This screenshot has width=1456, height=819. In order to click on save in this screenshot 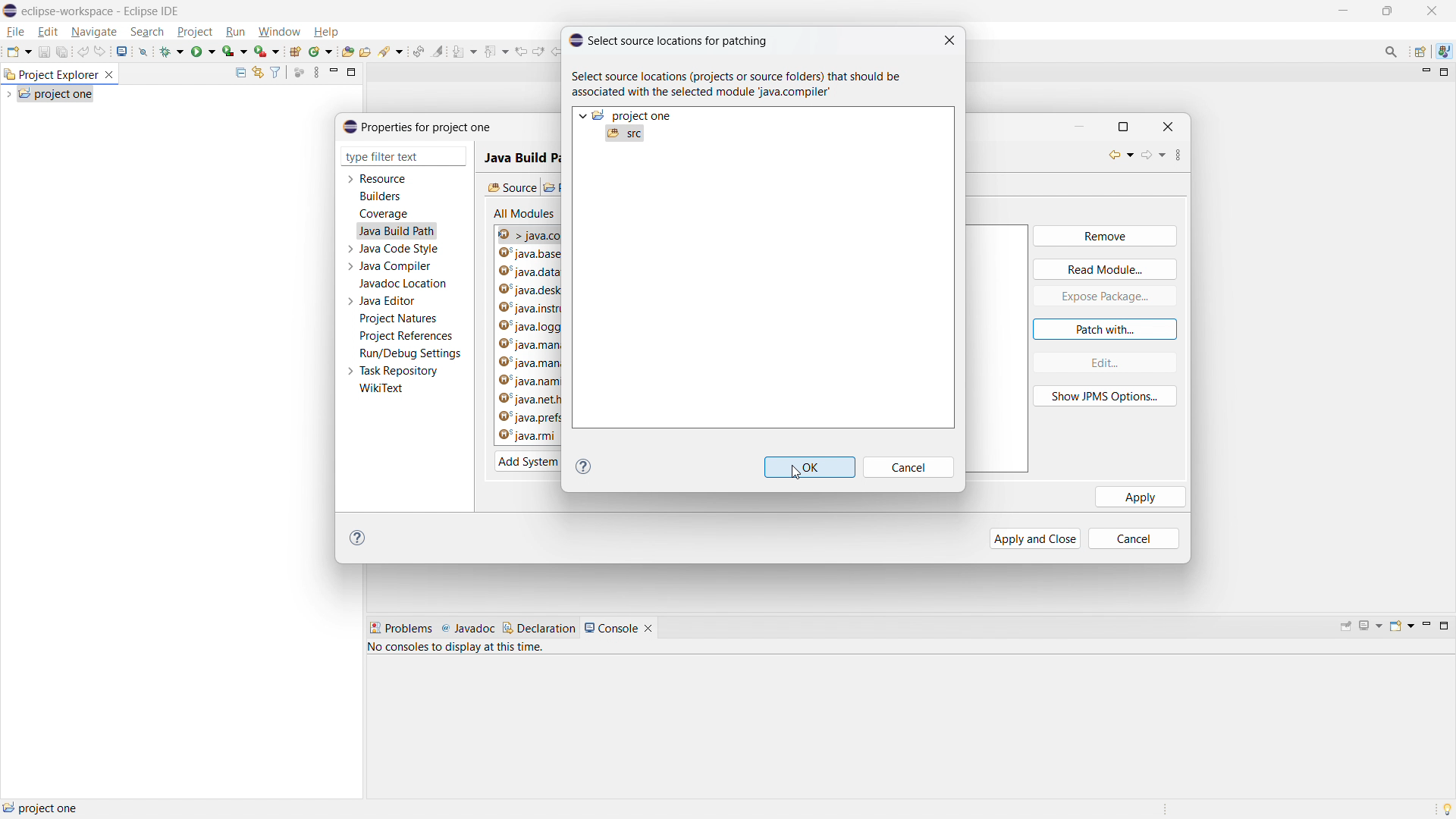, I will do `click(44, 52)`.